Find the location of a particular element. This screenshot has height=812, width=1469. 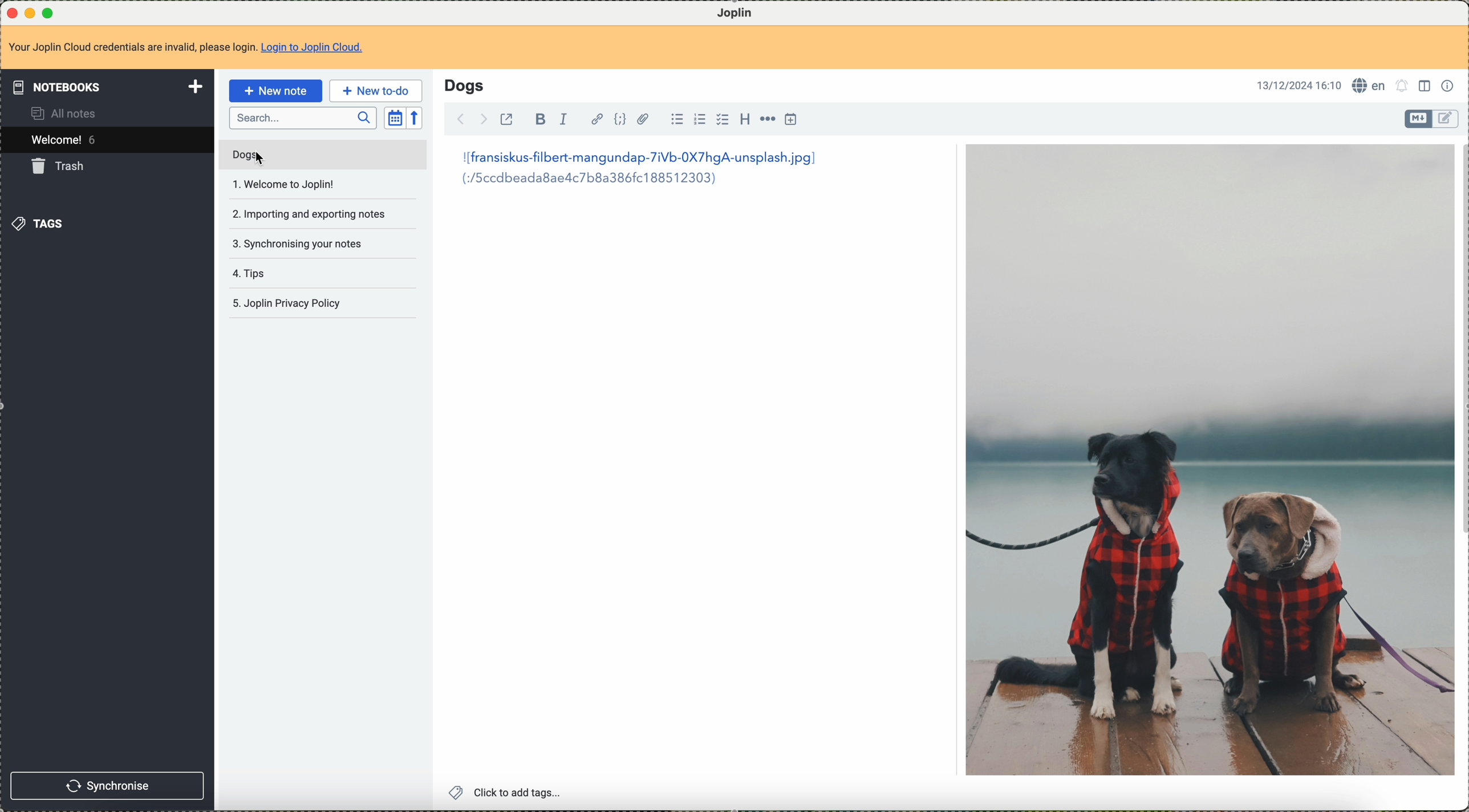

new note is located at coordinates (274, 90).